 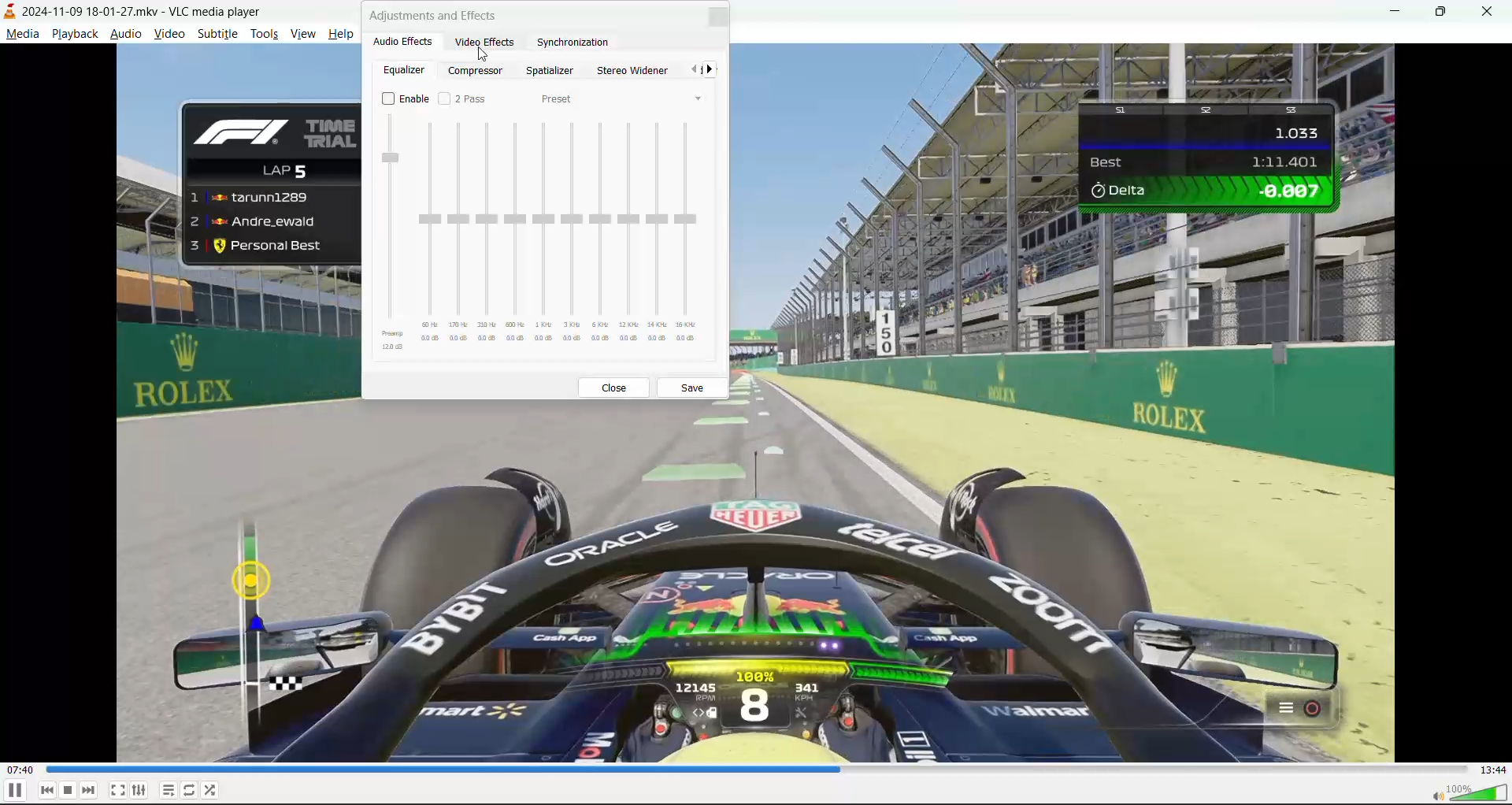 What do you see at coordinates (306, 32) in the screenshot?
I see `view` at bounding box center [306, 32].